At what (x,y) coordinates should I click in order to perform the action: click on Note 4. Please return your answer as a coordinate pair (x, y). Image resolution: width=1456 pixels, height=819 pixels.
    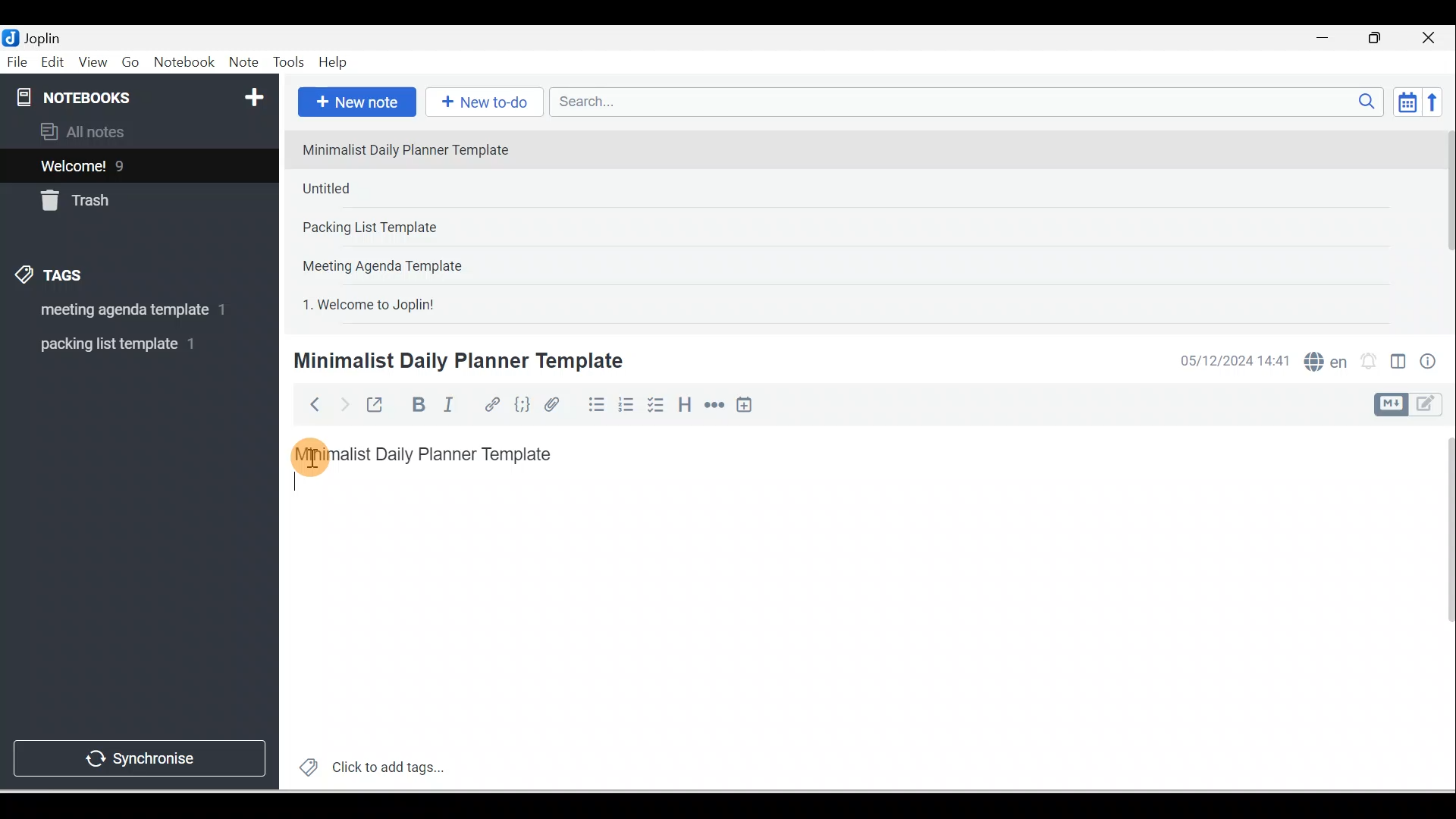
    Looking at the image, I should click on (403, 262).